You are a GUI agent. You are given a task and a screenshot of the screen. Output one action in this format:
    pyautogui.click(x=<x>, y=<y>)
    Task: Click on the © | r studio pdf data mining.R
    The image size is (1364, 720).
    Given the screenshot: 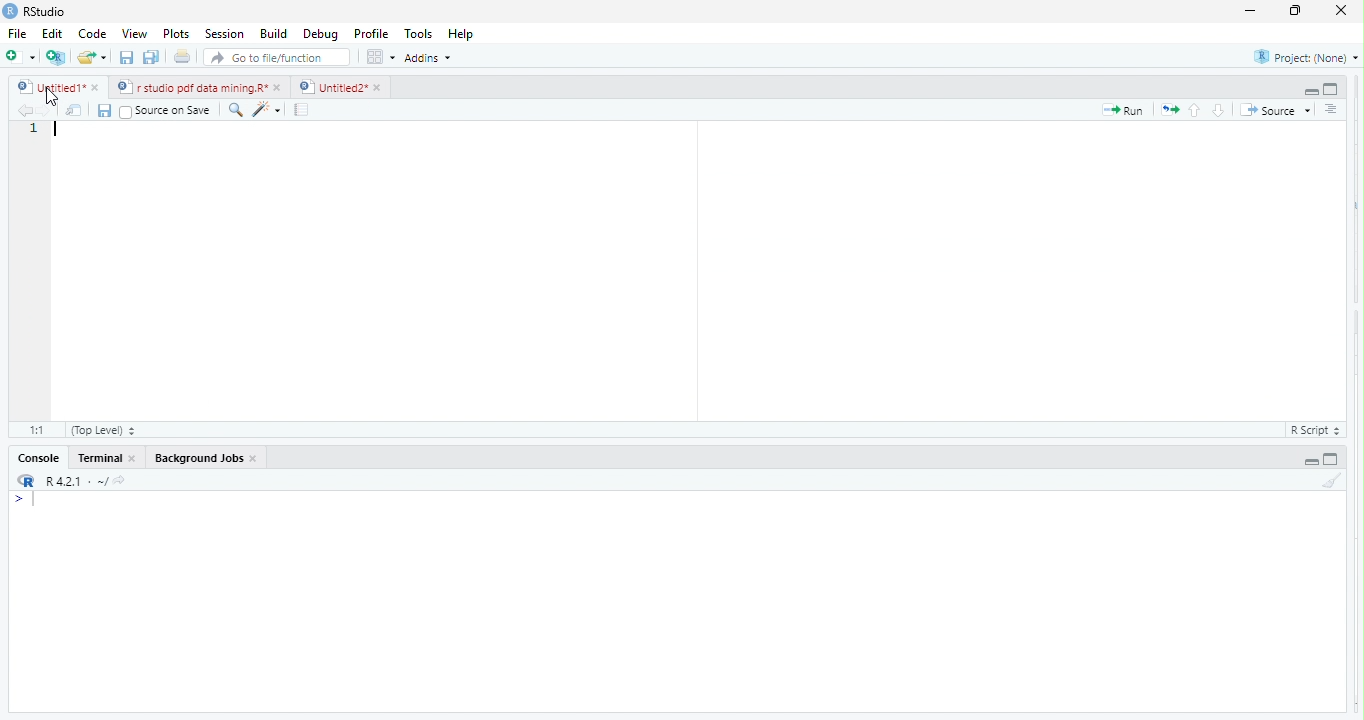 What is the action you would take?
    pyautogui.click(x=194, y=88)
    